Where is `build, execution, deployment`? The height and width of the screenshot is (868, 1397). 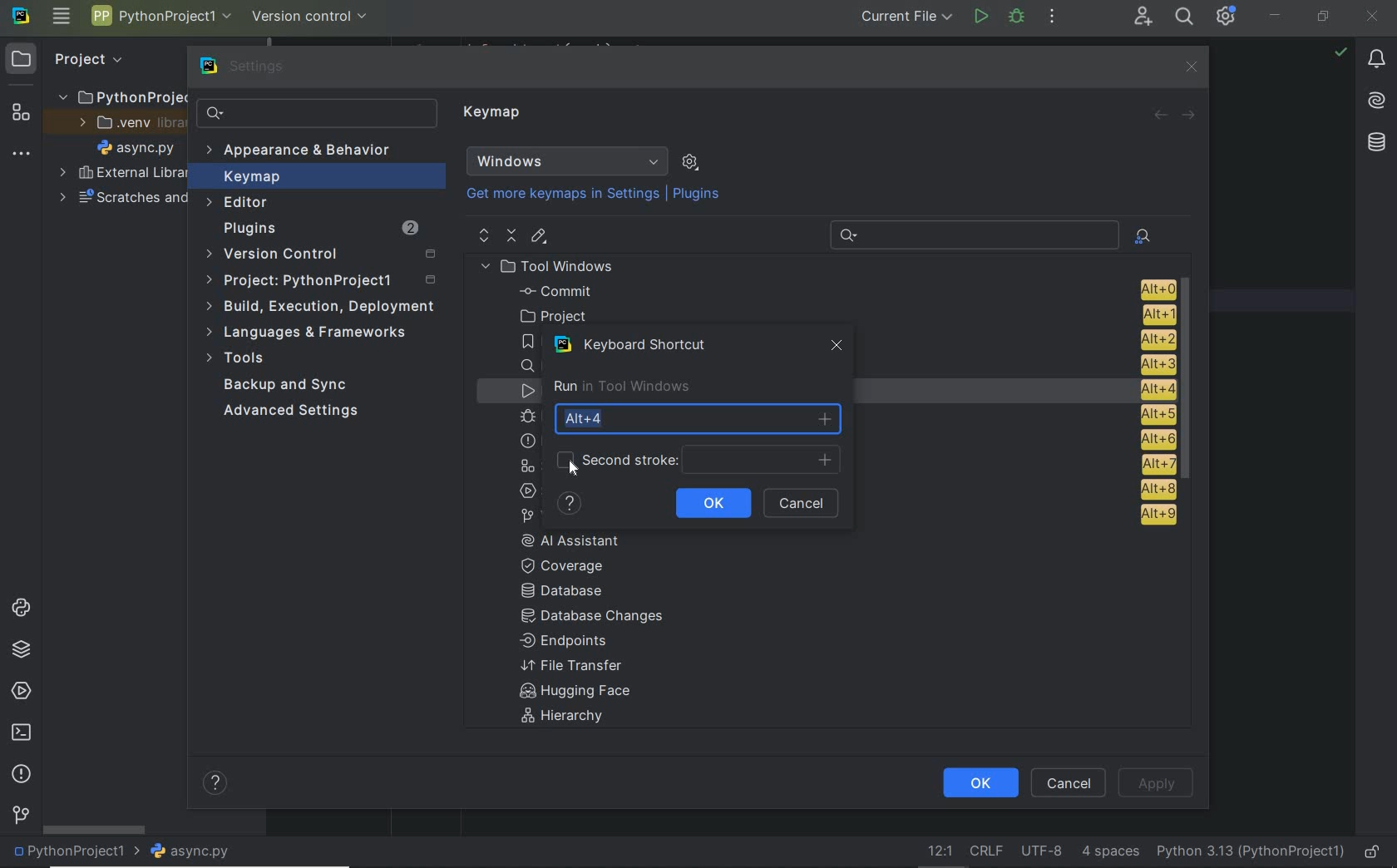
build, execution, deployment is located at coordinates (319, 307).